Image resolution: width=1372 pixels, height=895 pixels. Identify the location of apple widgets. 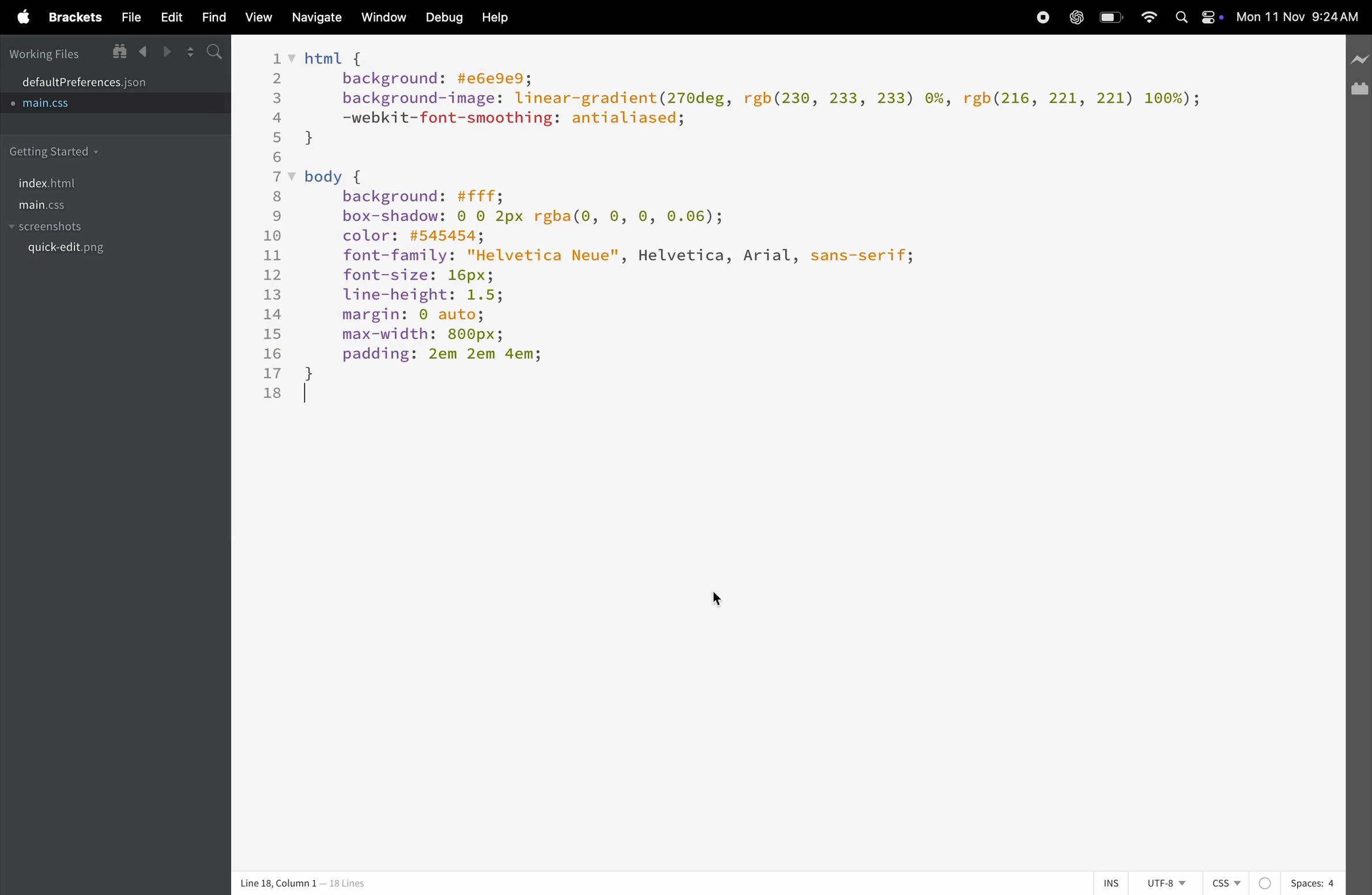
(1197, 18).